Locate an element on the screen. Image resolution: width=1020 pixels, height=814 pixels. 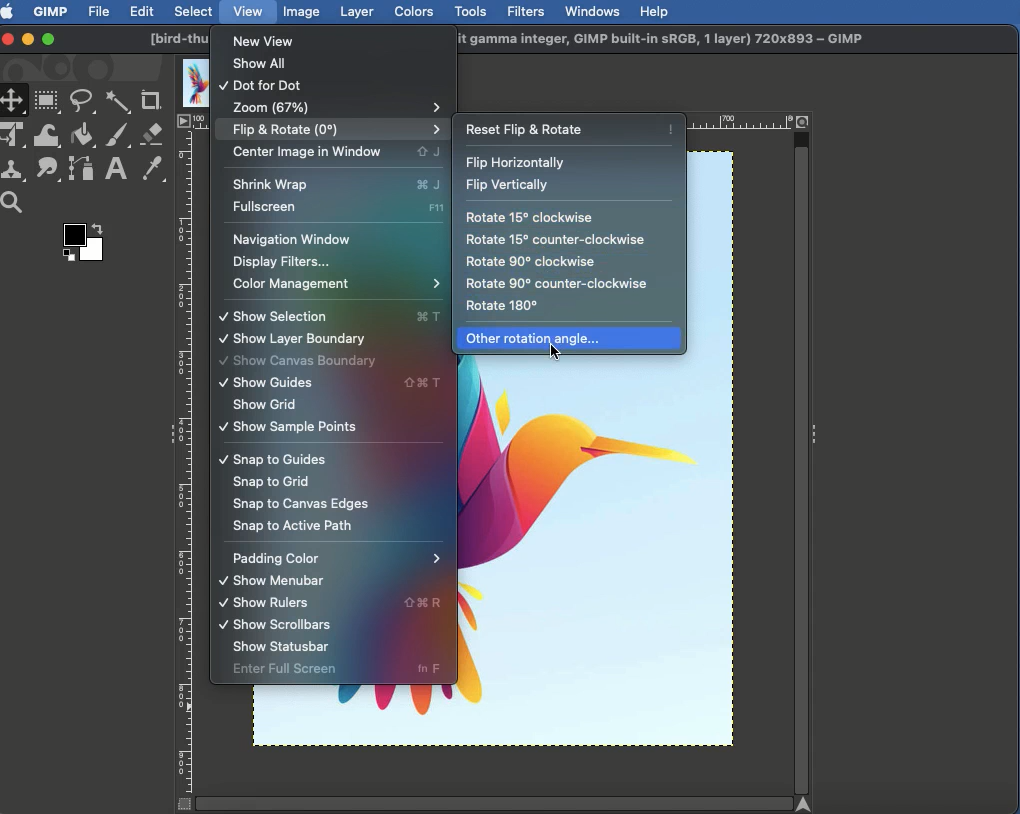
Select is located at coordinates (194, 11).